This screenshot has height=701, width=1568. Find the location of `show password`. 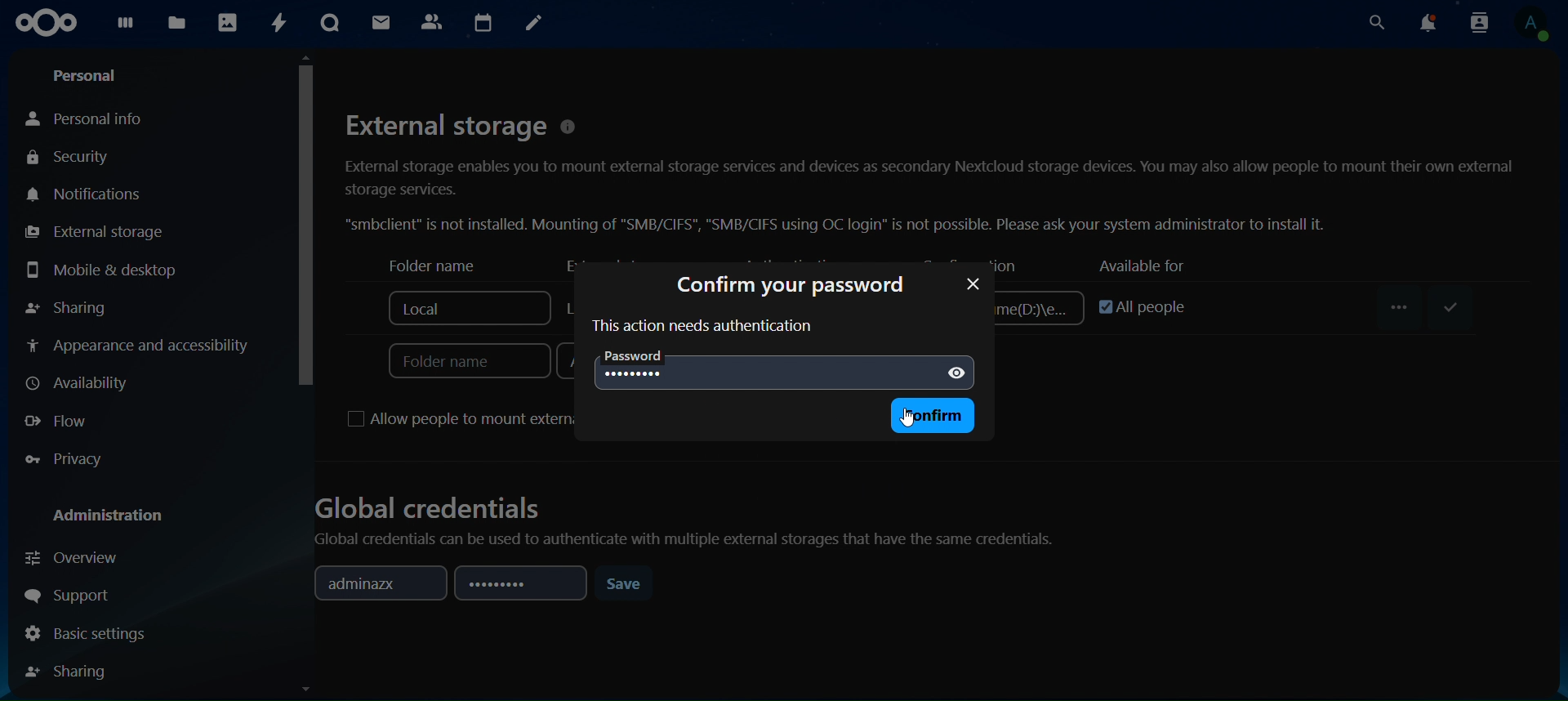

show password is located at coordinates (960, 371).